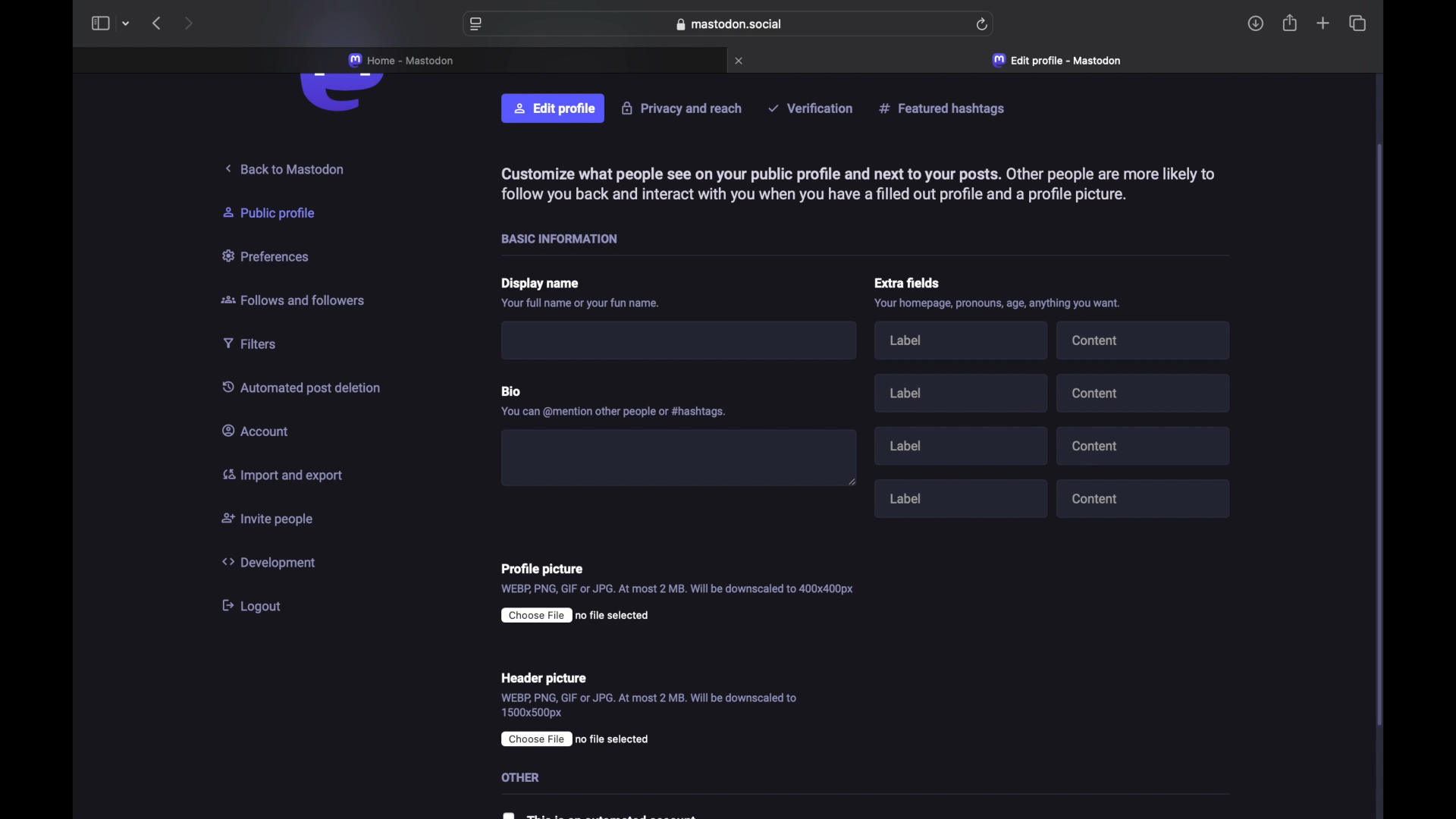 Image resolution: width=1456 pixels, height=819 pixels. What do you see at coordinates (1146, 396) in the screenshot?
I see `content` at bounding box center [1146, 396].